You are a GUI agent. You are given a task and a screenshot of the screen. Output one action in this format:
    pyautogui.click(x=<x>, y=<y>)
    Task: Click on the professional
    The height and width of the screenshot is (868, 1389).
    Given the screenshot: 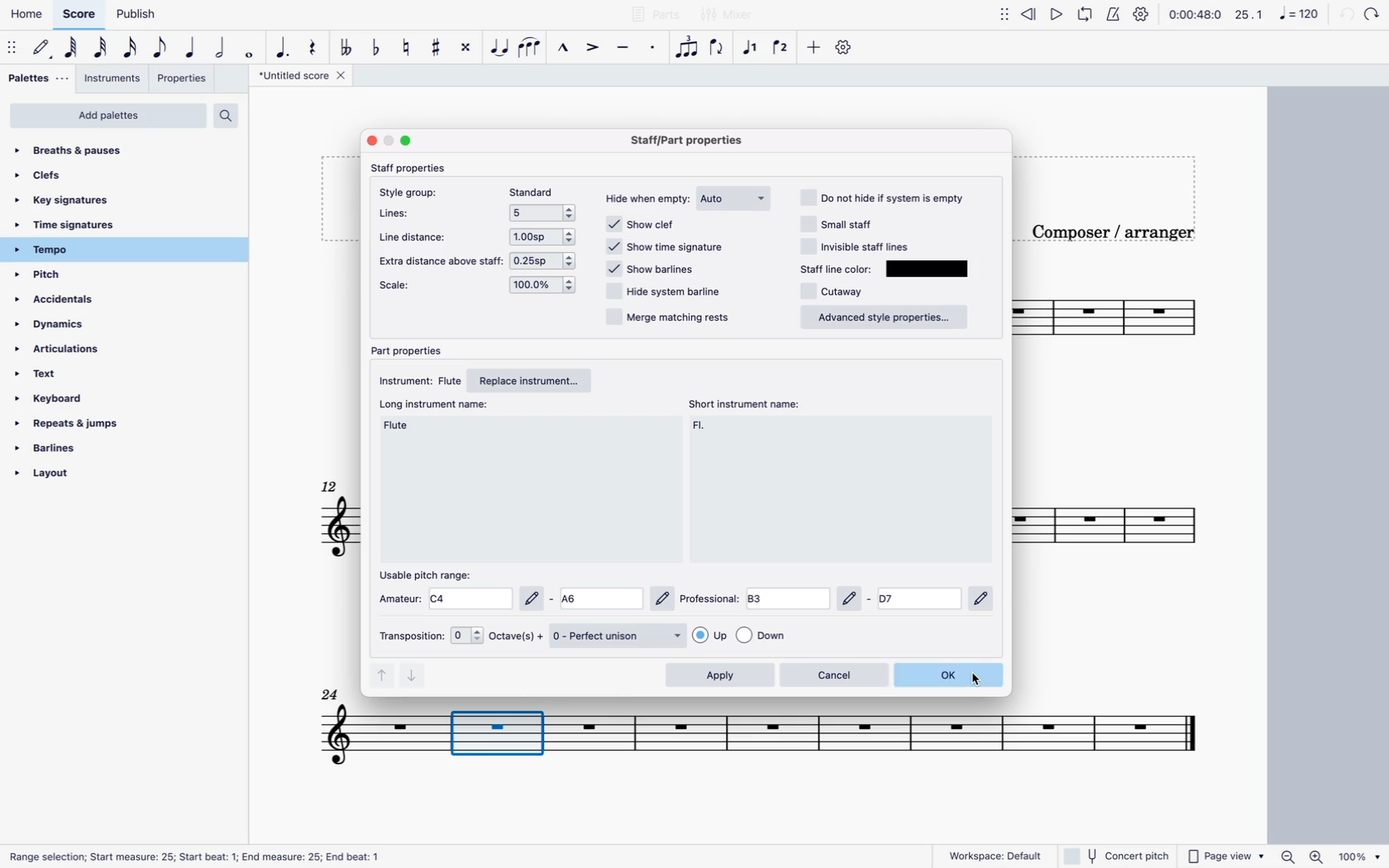 What is the action you would take?
    pyautogui.click(x=841, y=599)
    